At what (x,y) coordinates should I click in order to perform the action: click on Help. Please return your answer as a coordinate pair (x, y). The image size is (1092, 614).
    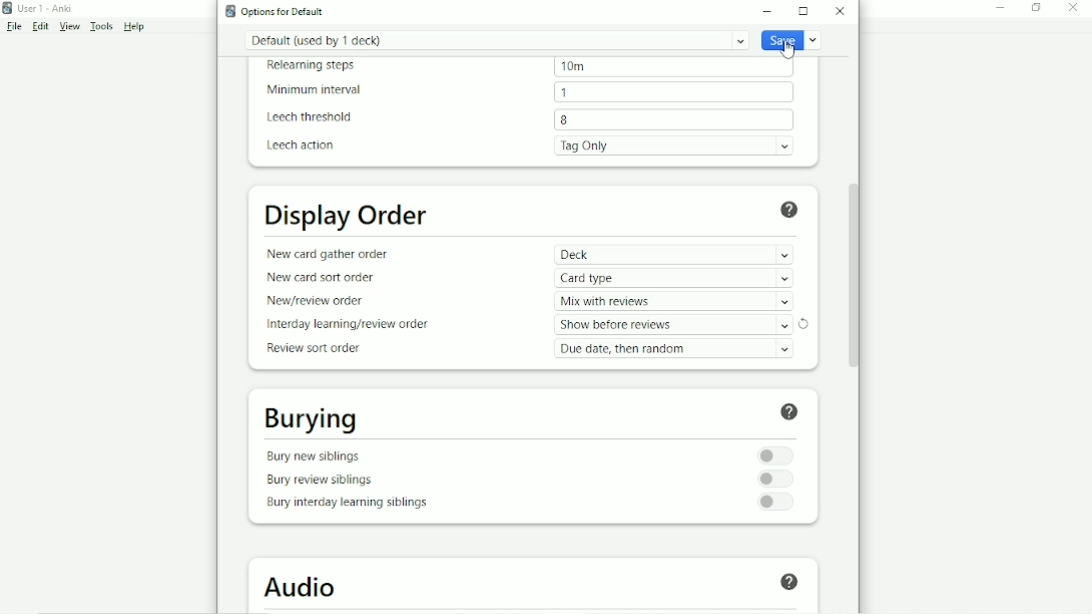
    Looking at the image, I should click on (135, 27).